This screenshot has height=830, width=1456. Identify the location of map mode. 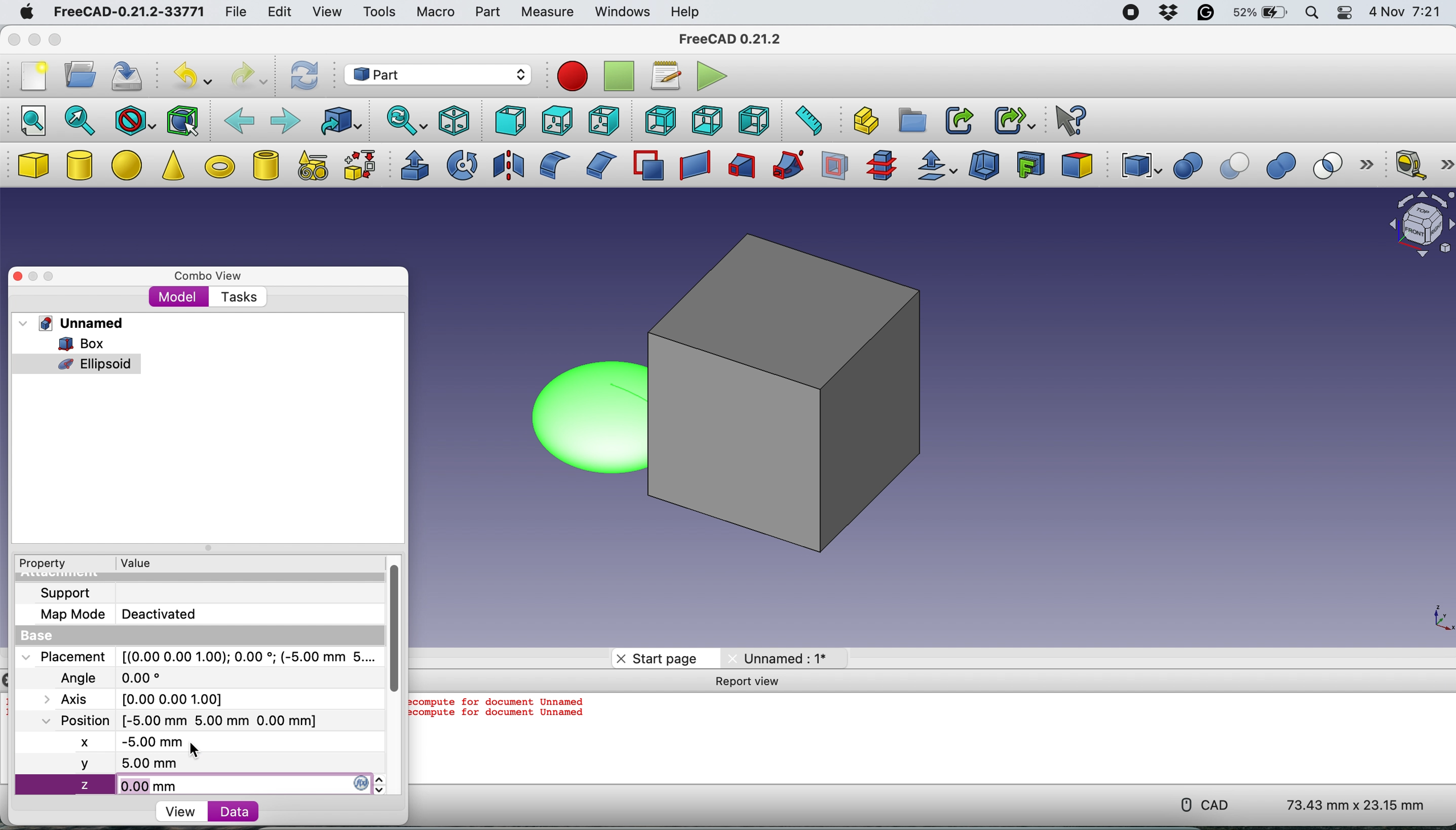
(68, 616).